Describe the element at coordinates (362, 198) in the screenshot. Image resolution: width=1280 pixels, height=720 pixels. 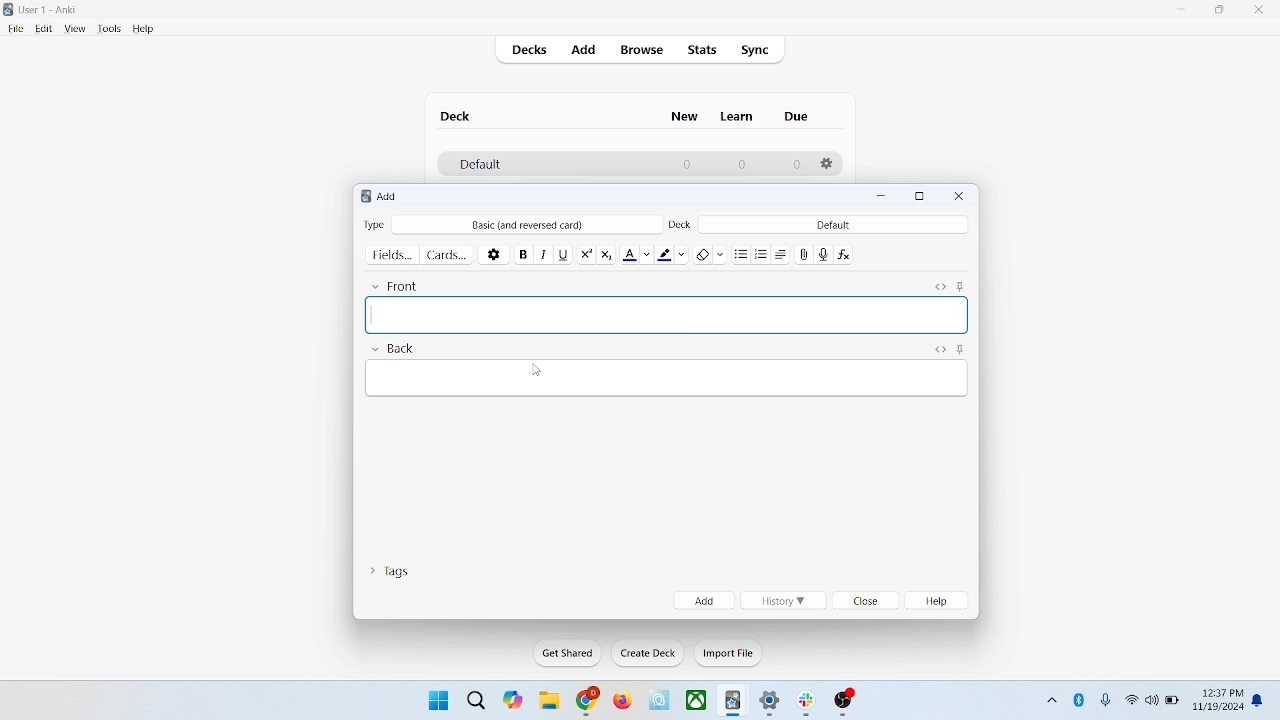
I see `logo` at that location.